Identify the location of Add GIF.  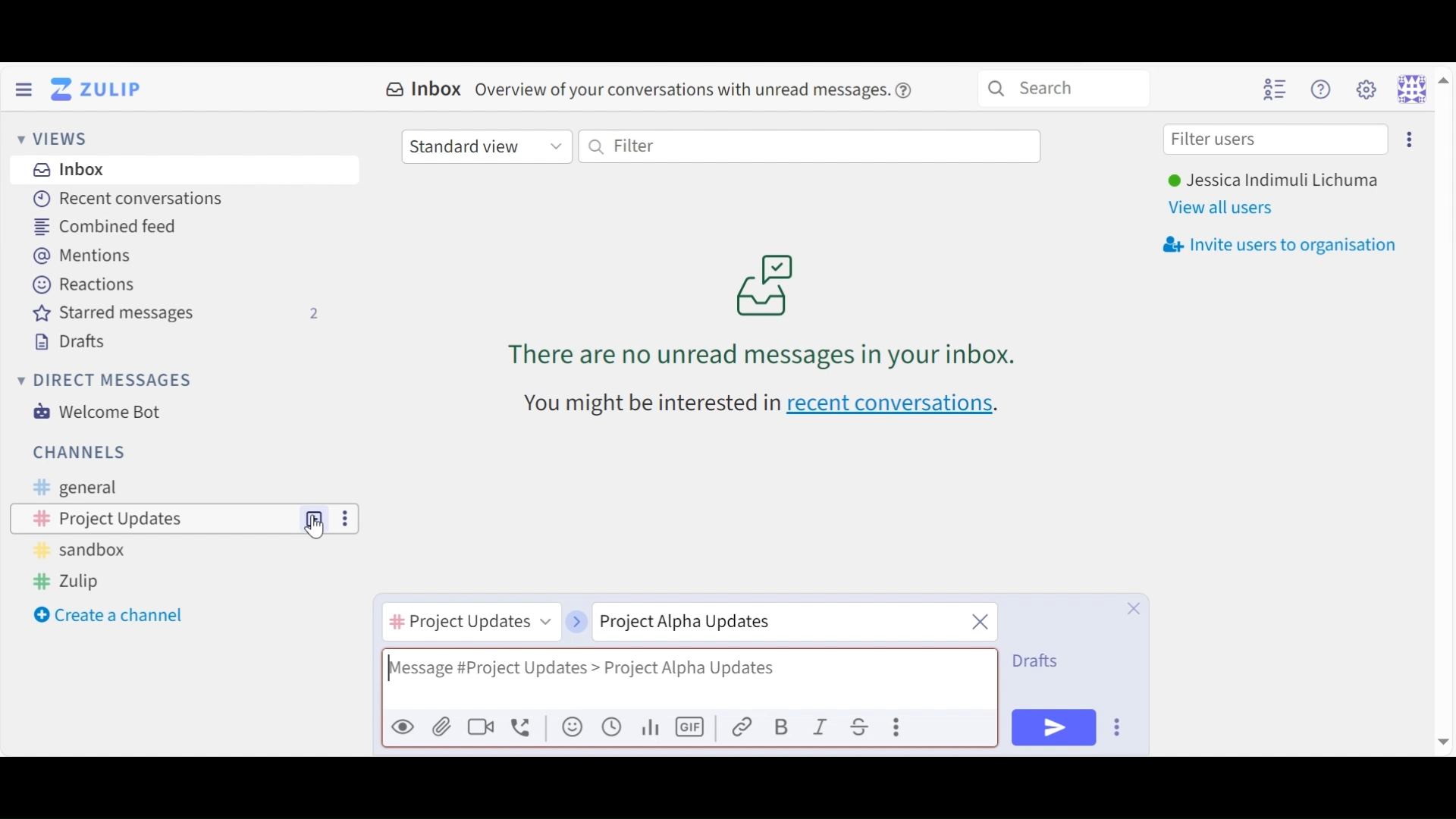
(690, 727).